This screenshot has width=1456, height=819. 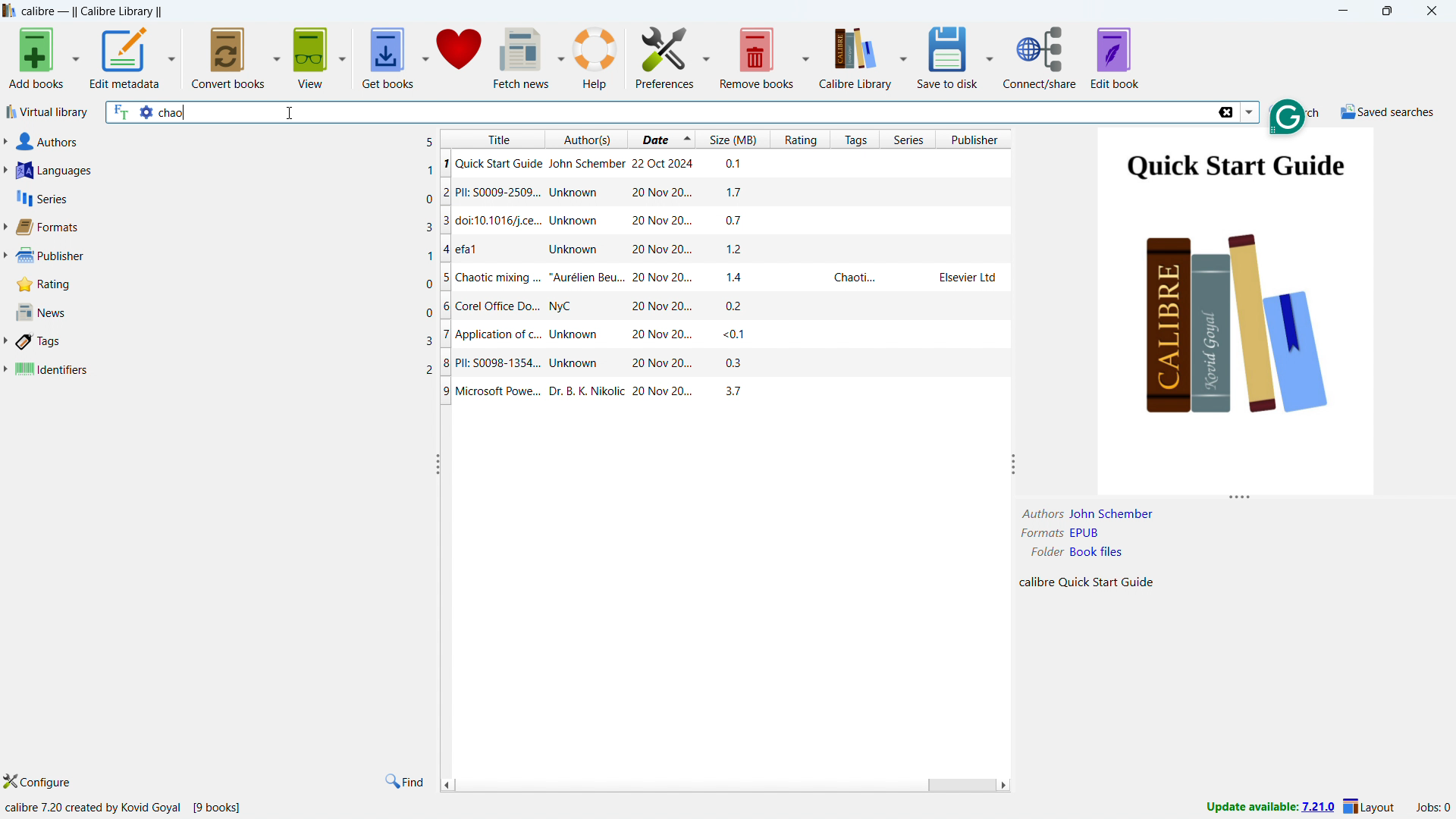 What do you see at coordinates (1040, 56) in the screenshot?
I see `connect/share` at bounding box center [1040, 56].